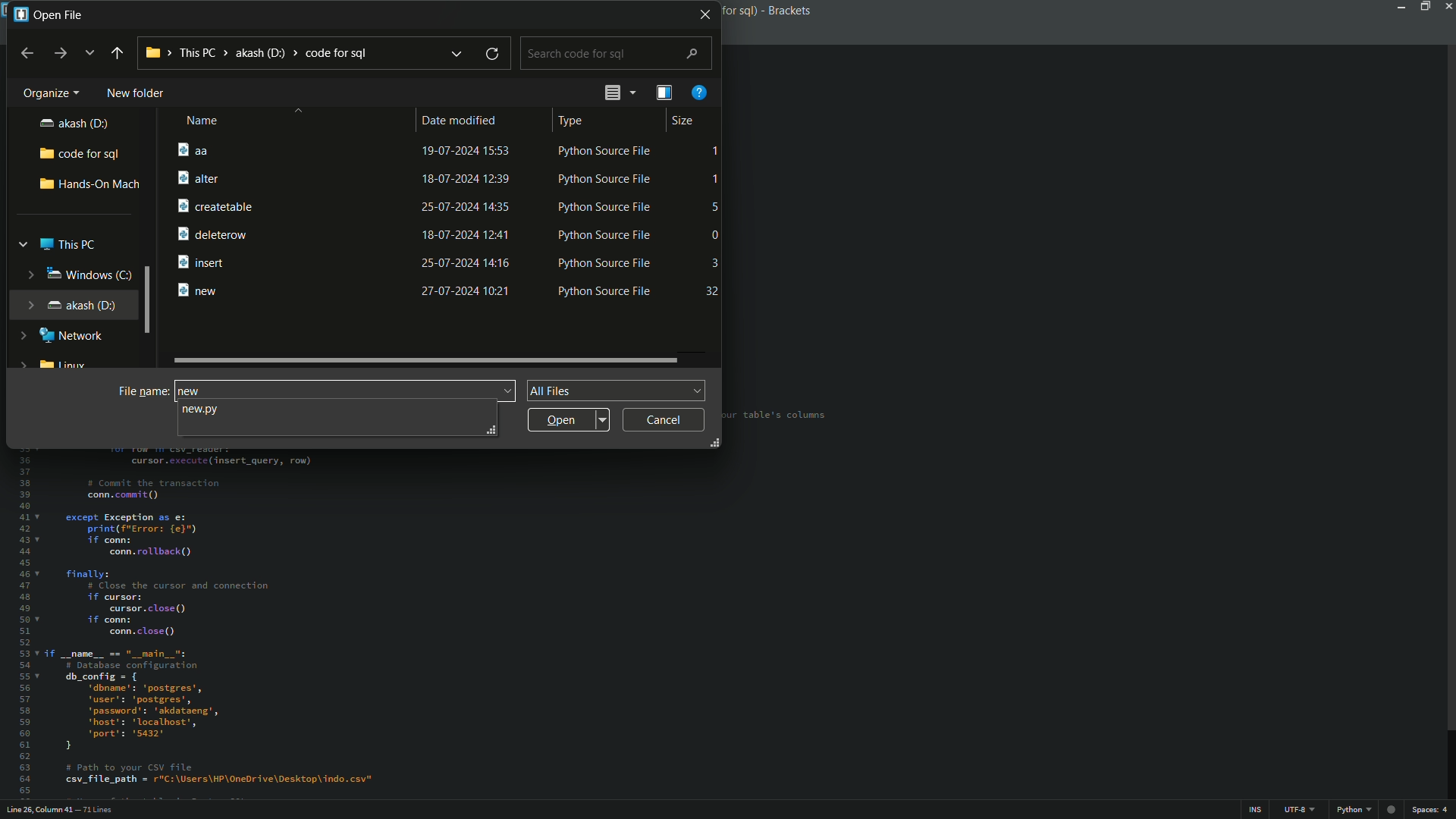 The image size is (1456, 819). What do you see at coordinates (67, 306) in the screenshot?
I see `akash(D)` at bounding box center [67, 306].